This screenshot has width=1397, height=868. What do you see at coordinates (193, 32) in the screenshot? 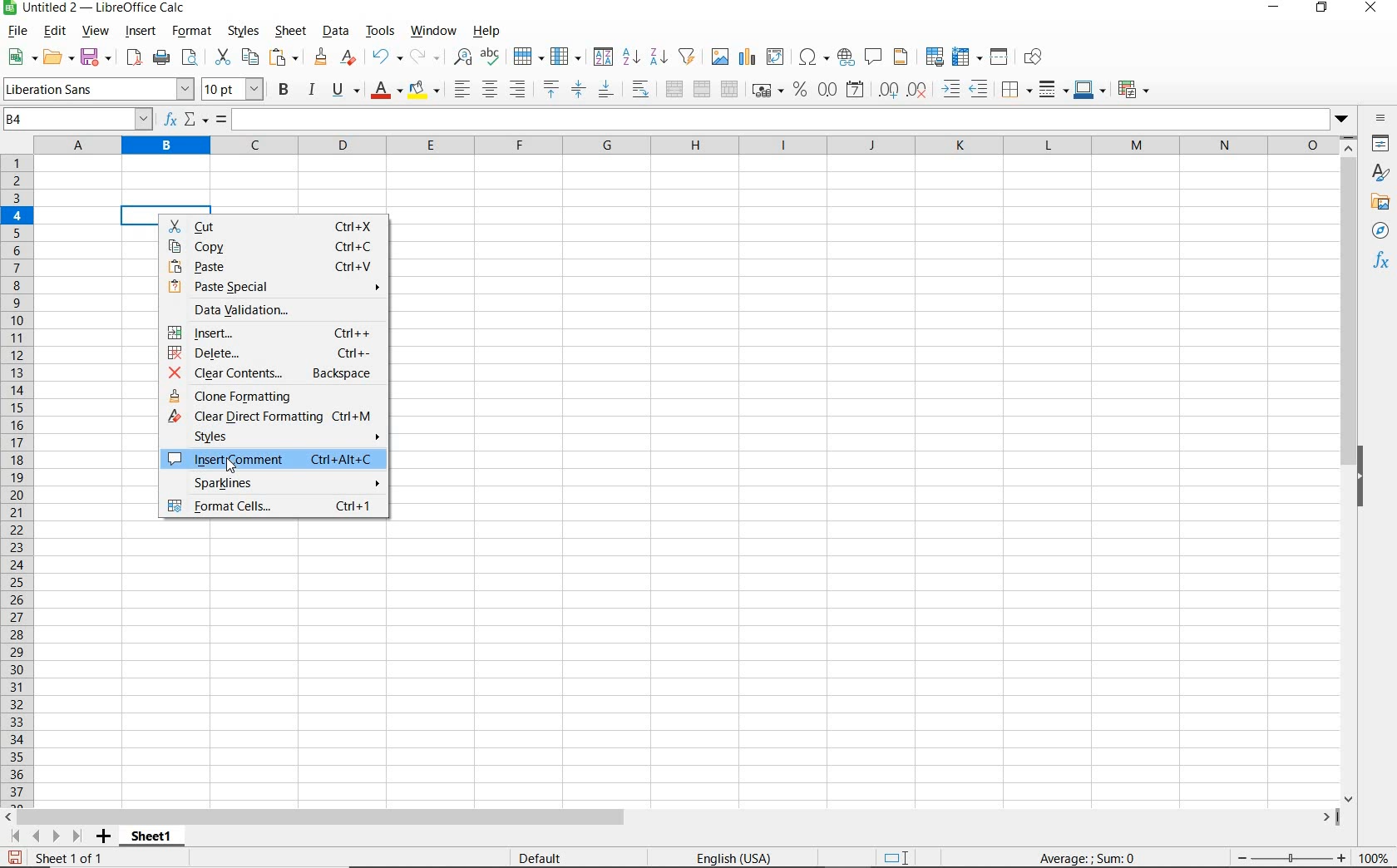
I see `format` at bounding box center [193, 32].